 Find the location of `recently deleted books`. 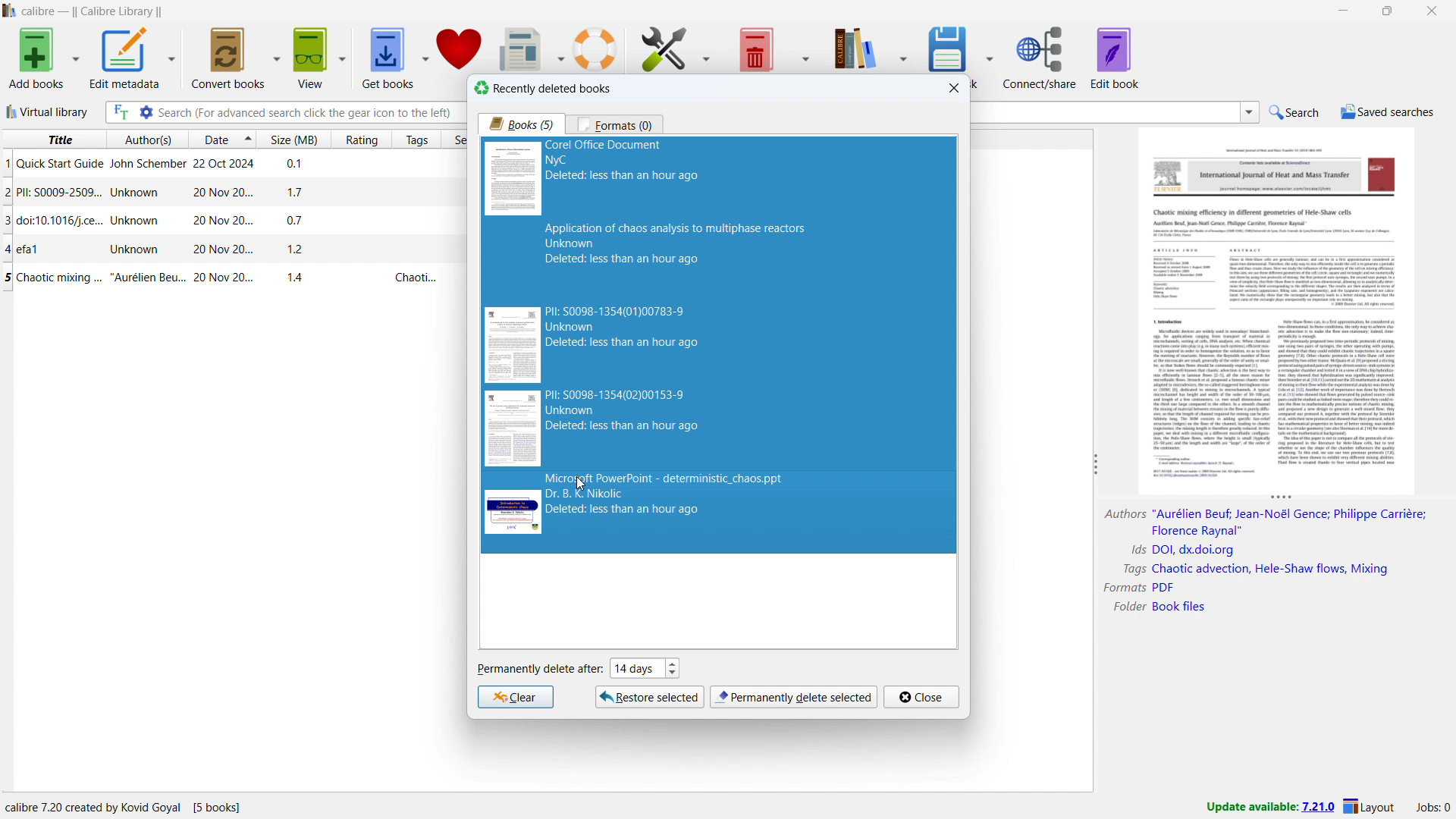

recently deleted books is located at coordinates (542, 88).